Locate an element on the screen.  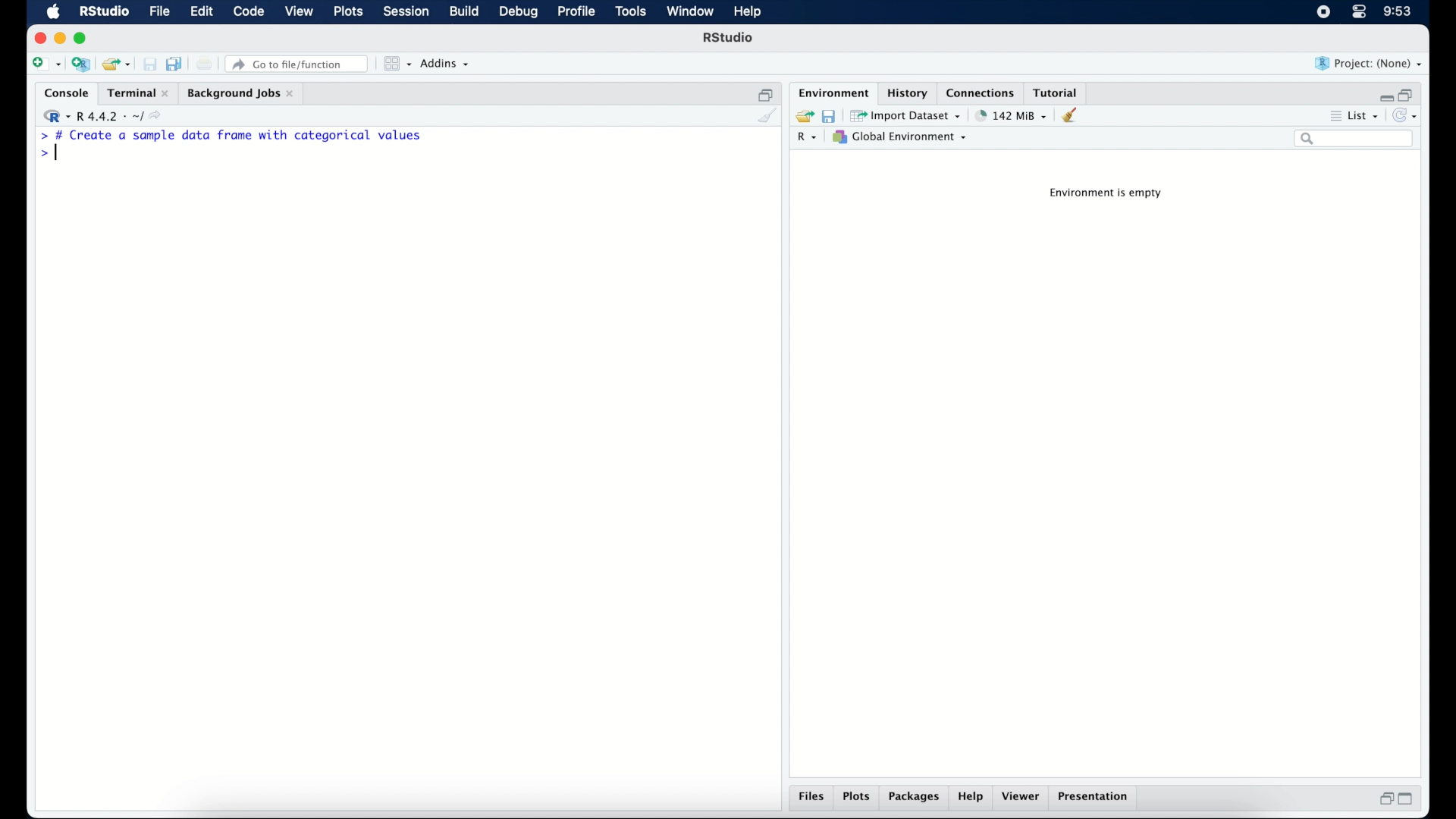
packages is located at coordinates (915, 799).